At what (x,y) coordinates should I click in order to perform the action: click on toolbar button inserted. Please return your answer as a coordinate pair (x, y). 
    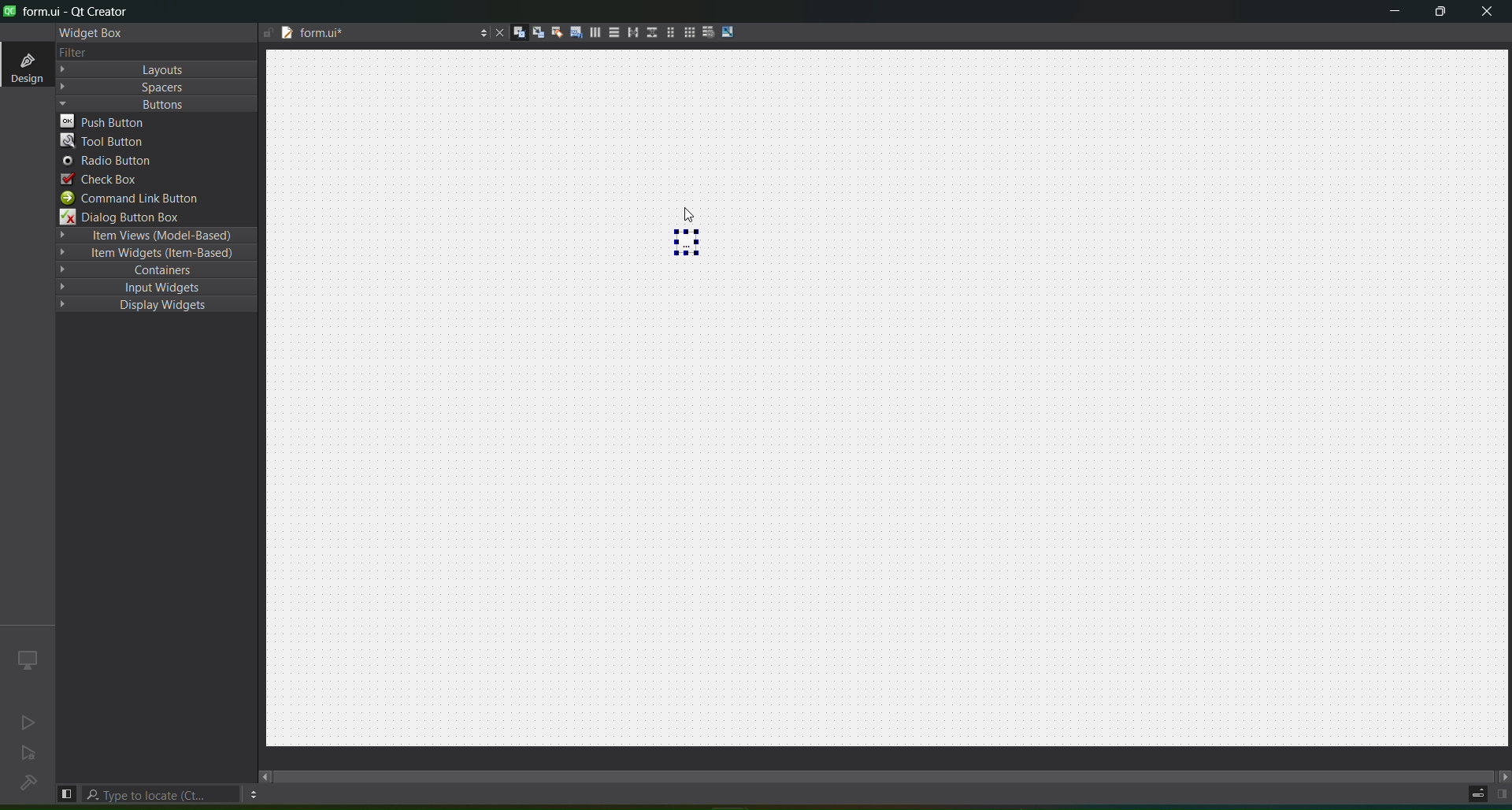
    Looking at the image, I should click on (689, 245).